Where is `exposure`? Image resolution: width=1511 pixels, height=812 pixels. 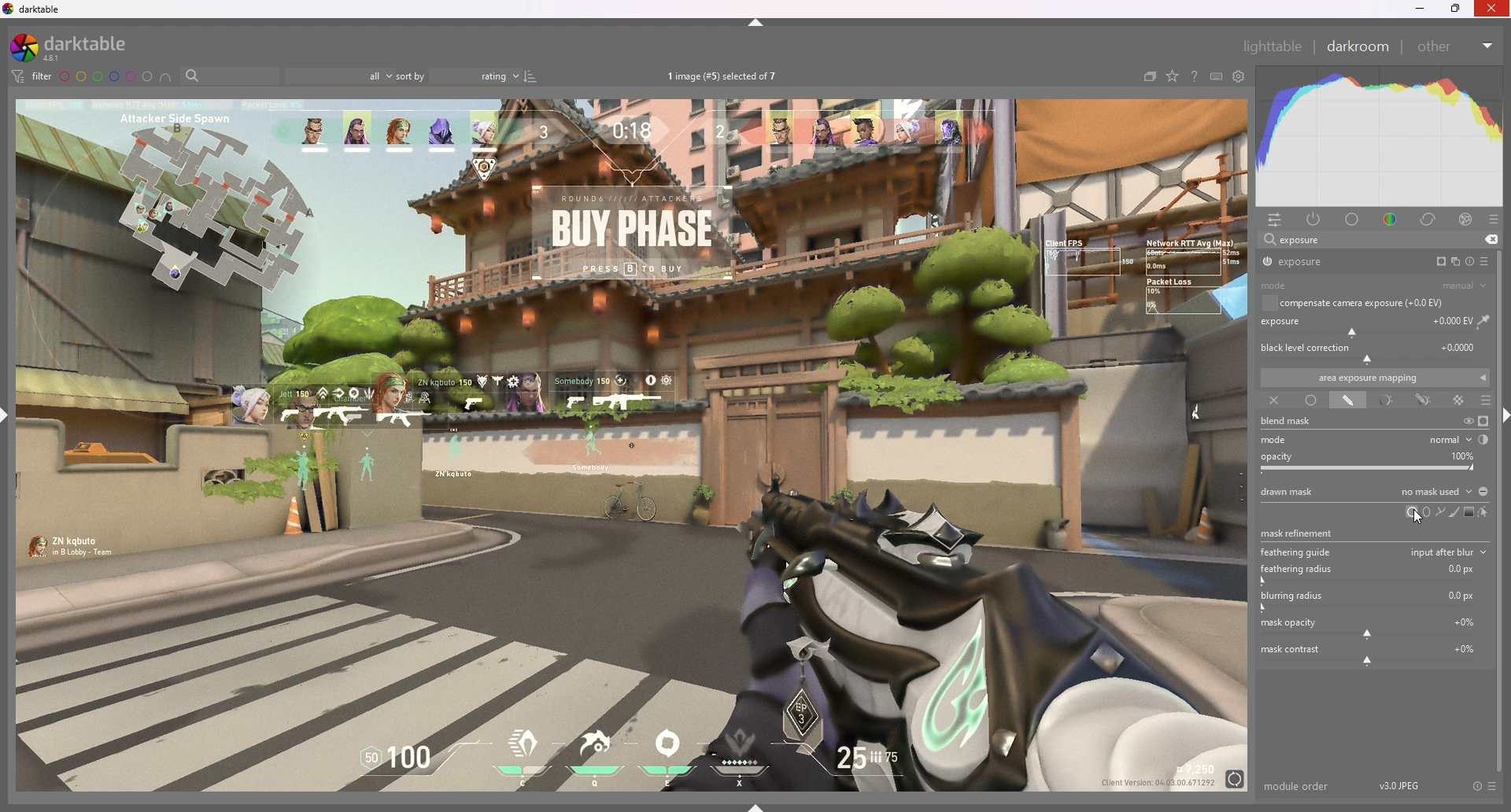
exposure is located at coordinates (1300, 239).